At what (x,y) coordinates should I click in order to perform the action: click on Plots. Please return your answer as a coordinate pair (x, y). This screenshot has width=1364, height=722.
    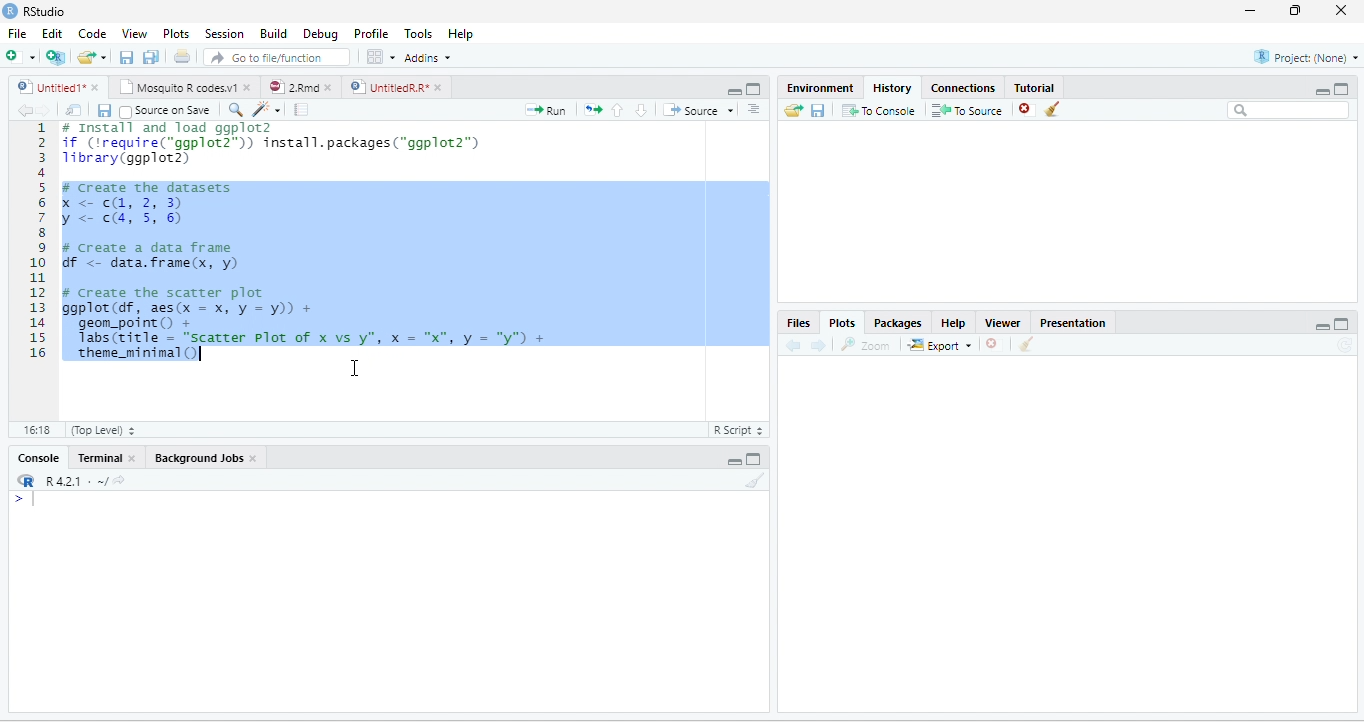
    Looking at the image, I should click on (176, 33).